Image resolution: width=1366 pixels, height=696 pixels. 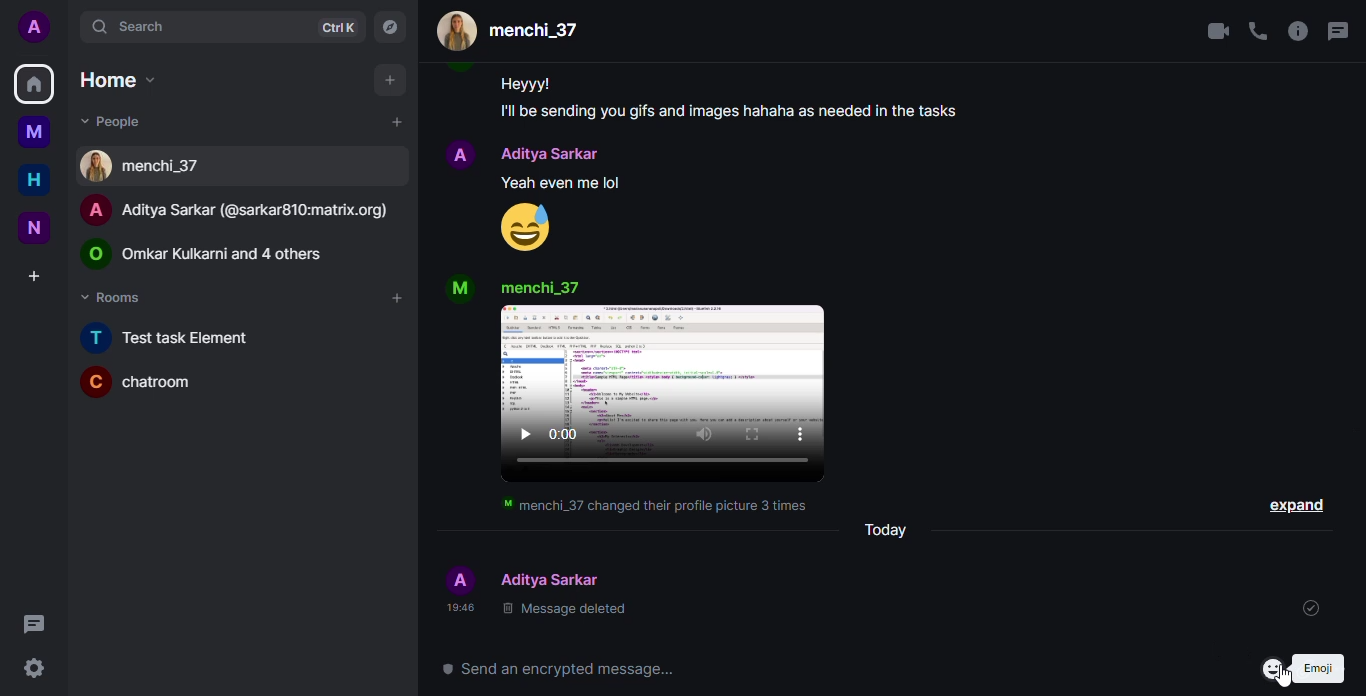 I want to click on profile, so click(x=34, y=27).